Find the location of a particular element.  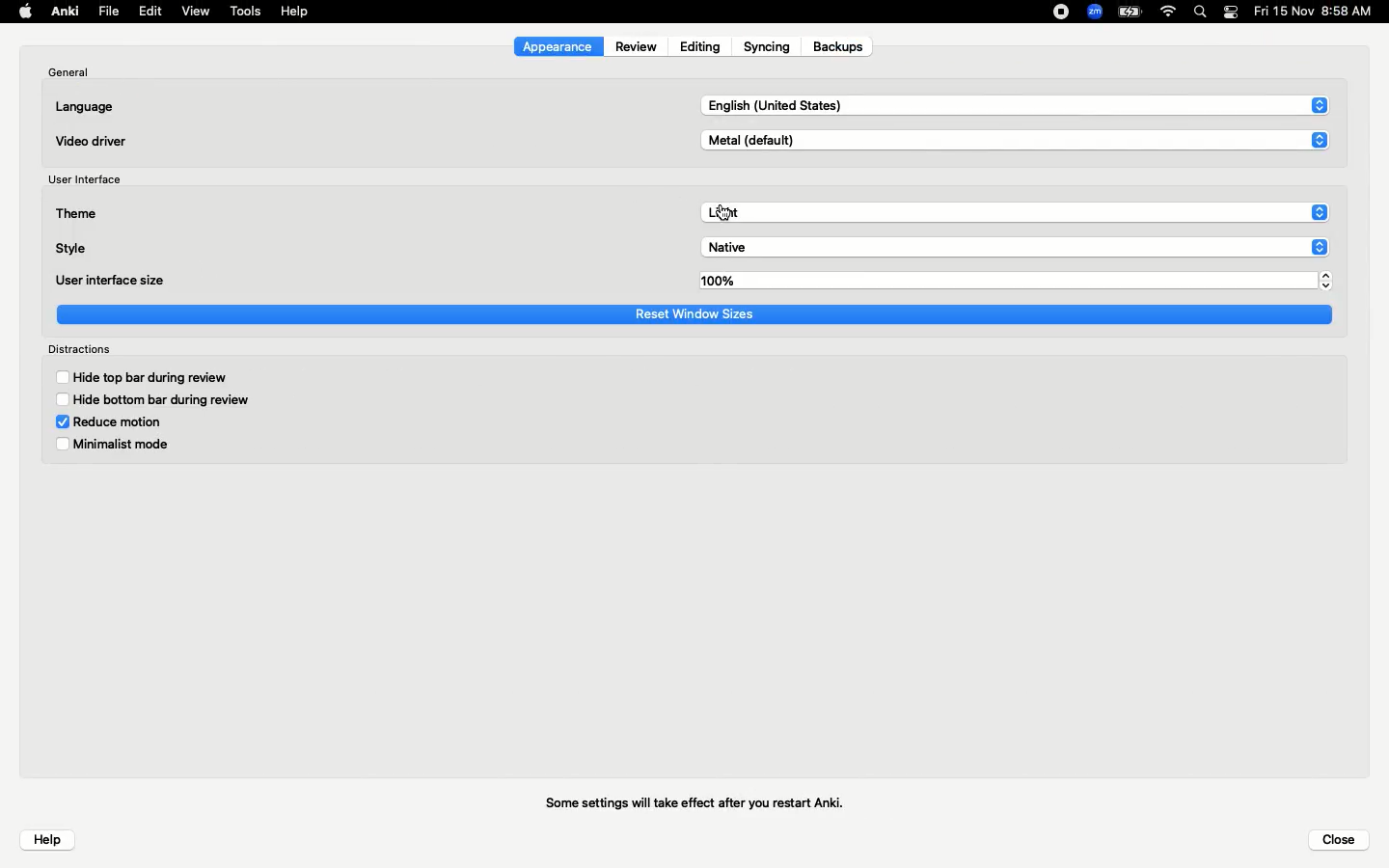

Charge is located at coordinates (1131, 12).